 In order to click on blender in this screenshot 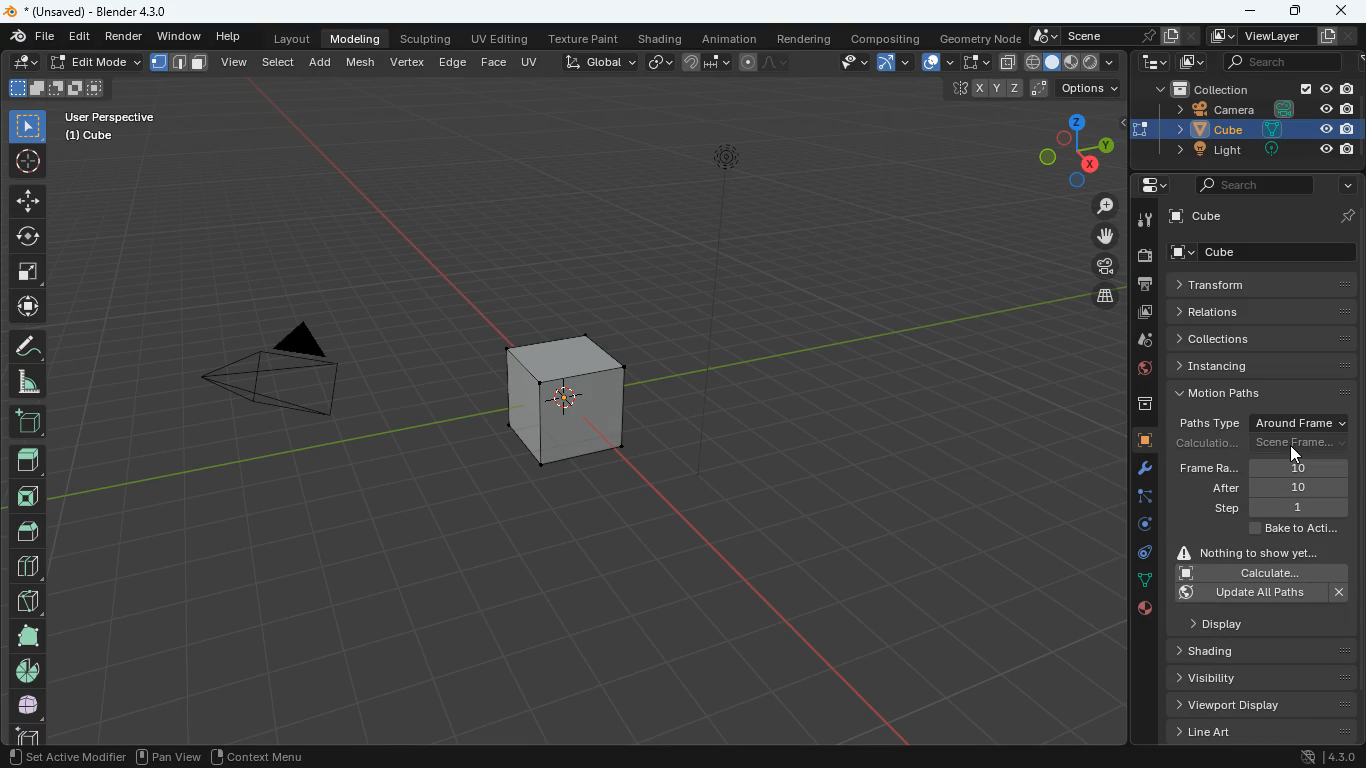, I will do `click(97, 11)`.